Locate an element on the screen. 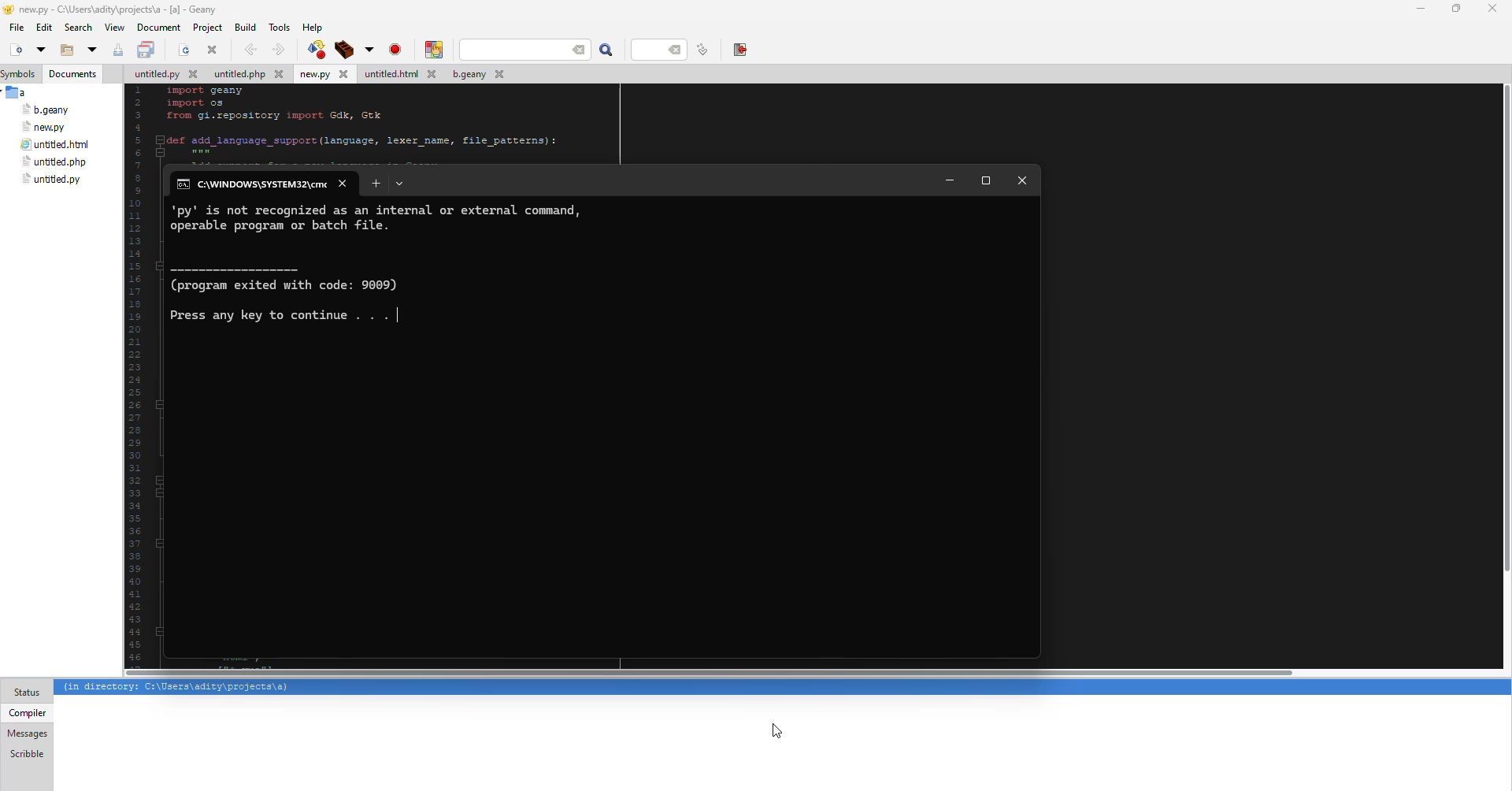 The height and width of the screenshot is (791, 1512). file is located at coordinates (50, 179).